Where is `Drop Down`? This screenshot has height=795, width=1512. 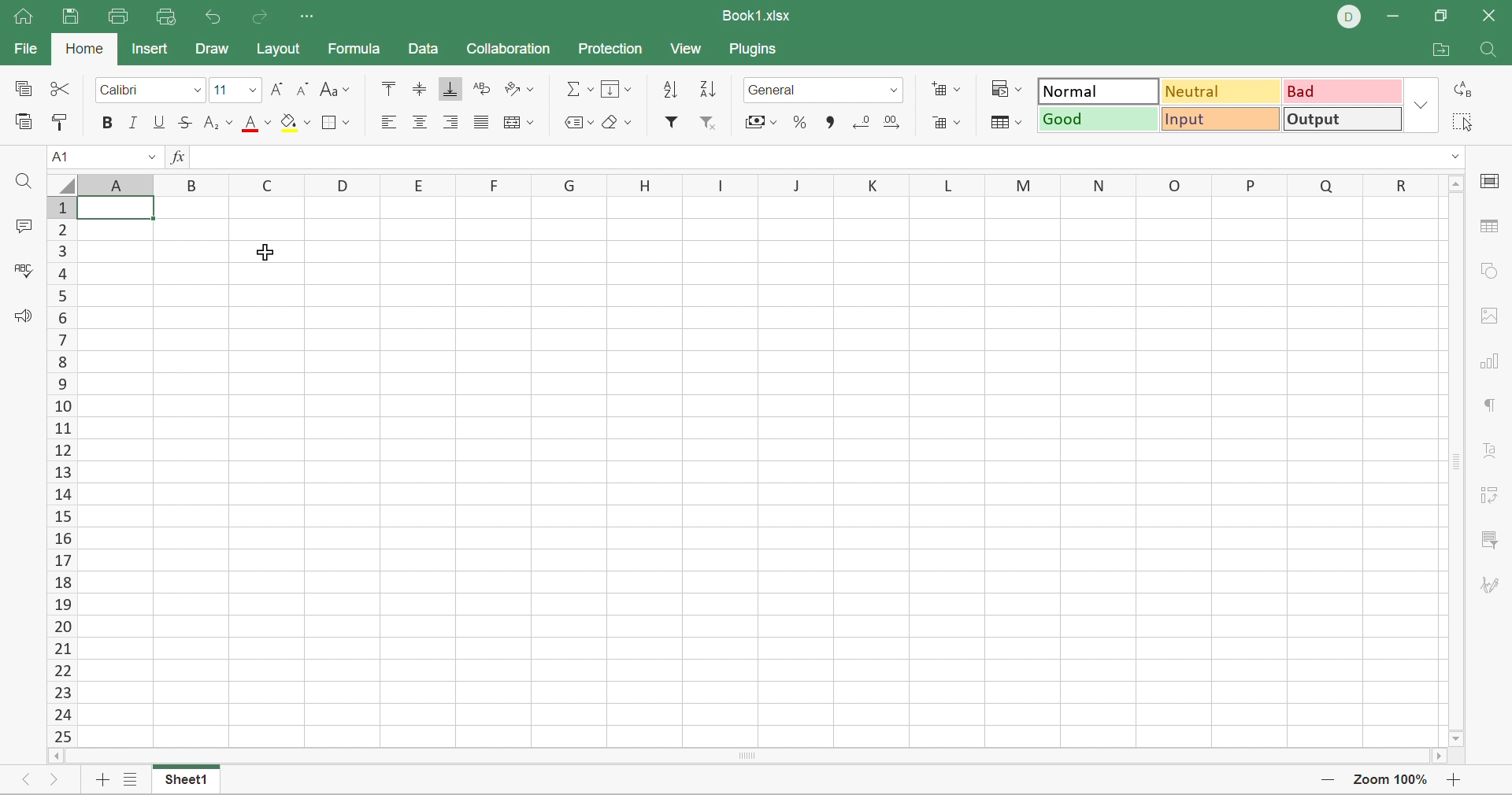 Drop Down is located at coordinates (199, 89).